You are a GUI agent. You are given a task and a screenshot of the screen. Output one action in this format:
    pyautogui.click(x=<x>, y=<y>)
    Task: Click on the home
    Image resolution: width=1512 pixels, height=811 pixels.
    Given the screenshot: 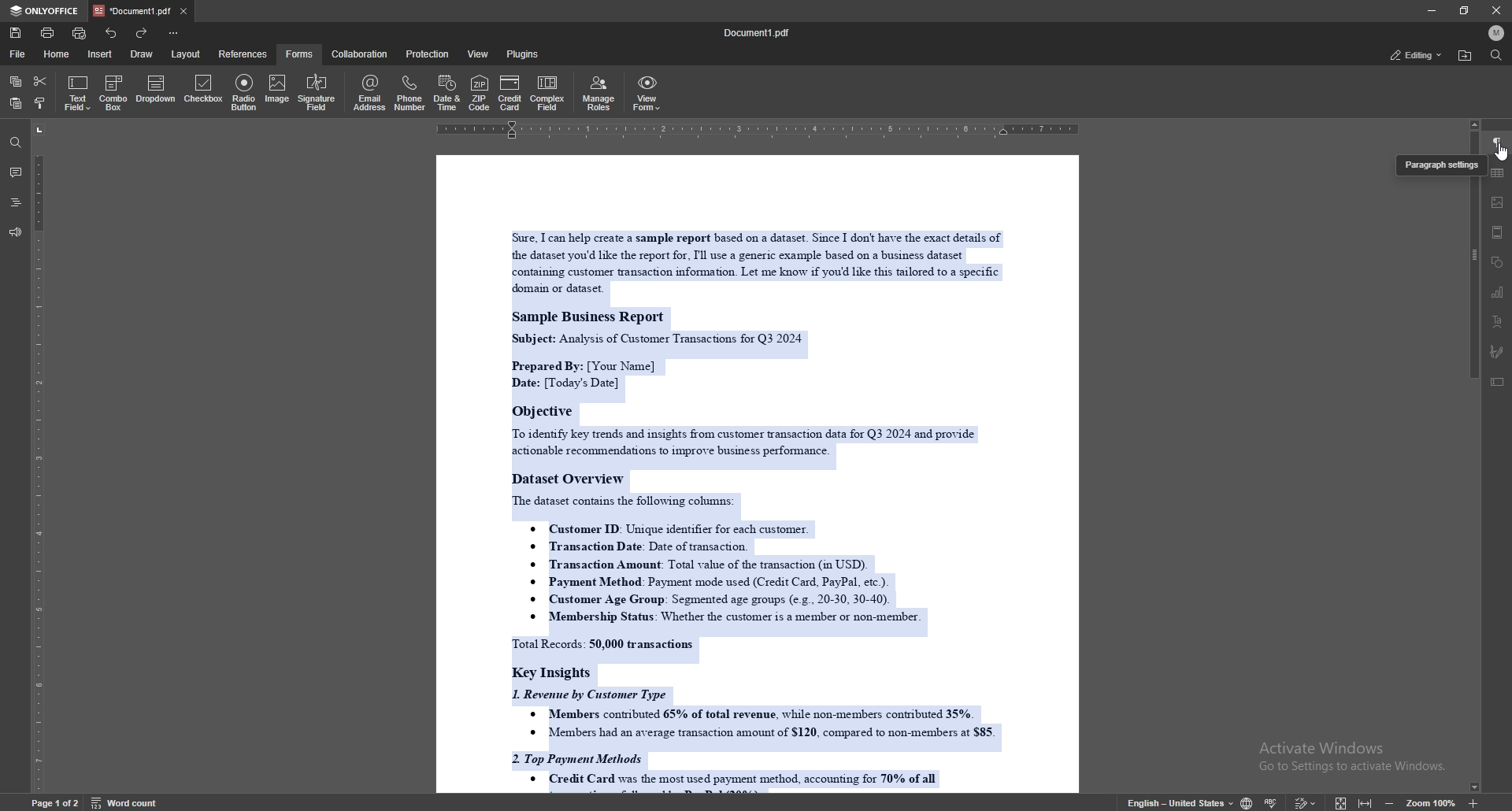 What is the action you would take?
    pyautogui.click(x=59, y=54)
    